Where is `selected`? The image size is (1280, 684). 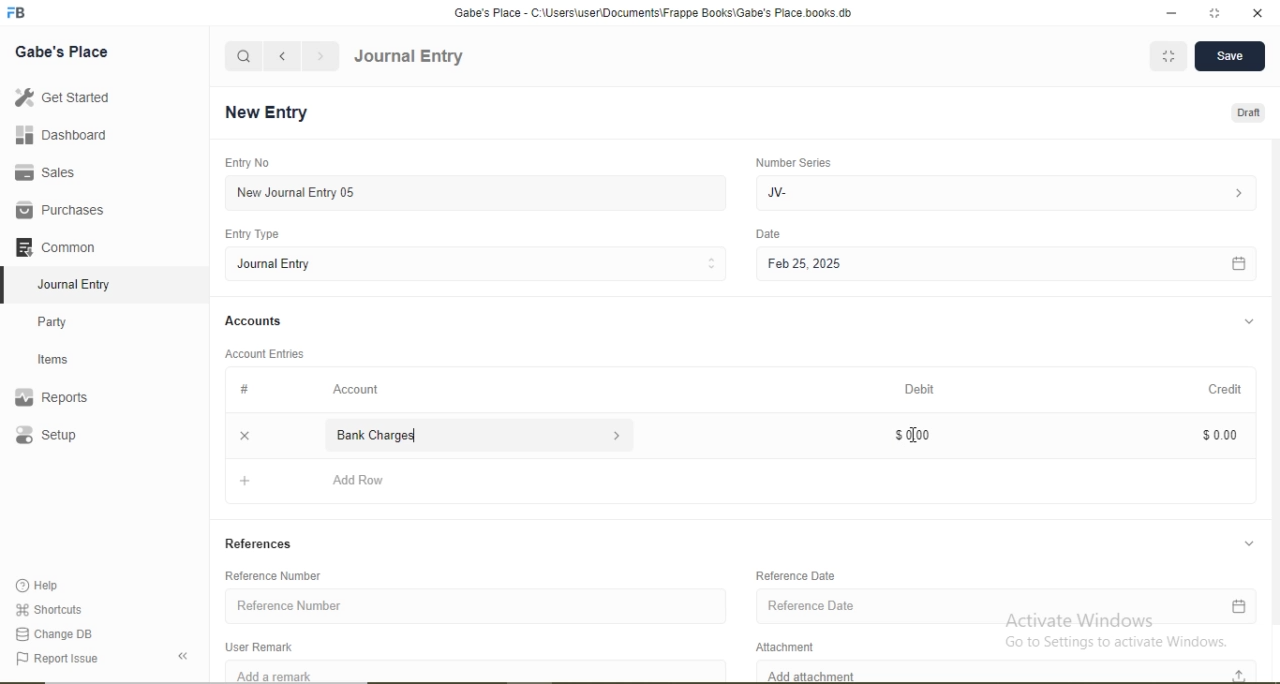
selected is located at coordinates (8, 284).